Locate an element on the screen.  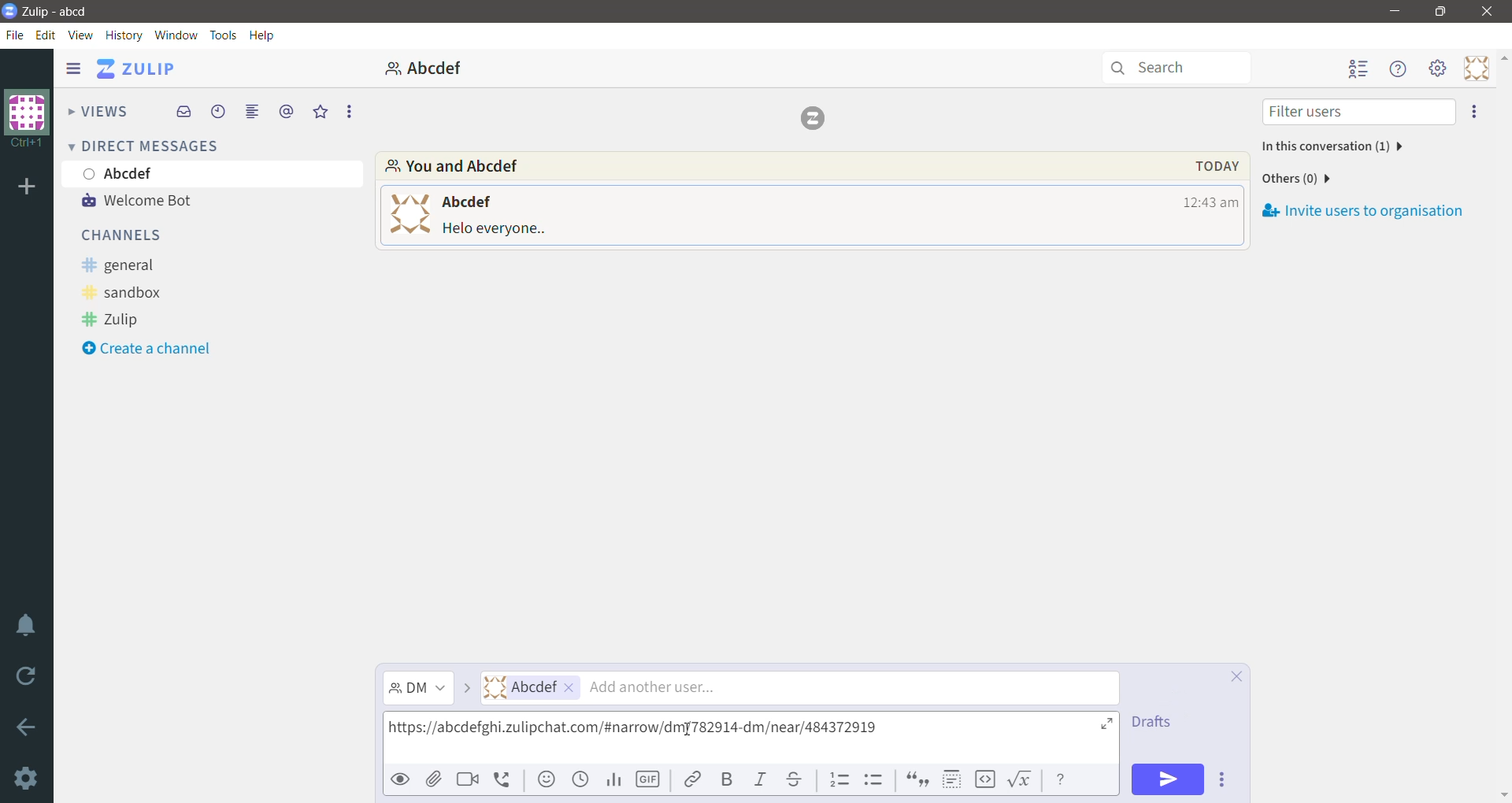
Number of other users is located at coordinates (1297, 179).